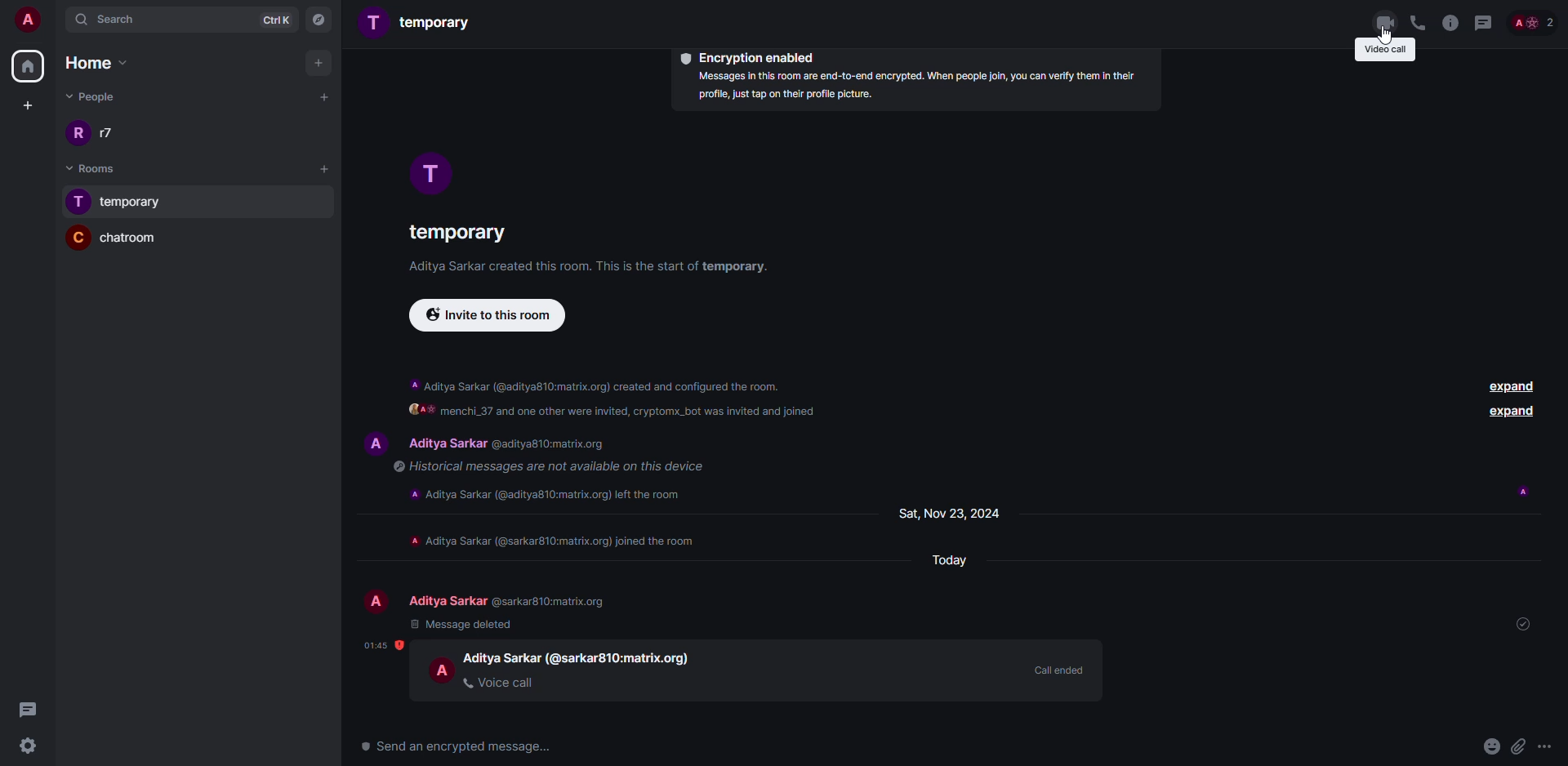  What do you see at coordinates (82, 168) in the screenshot?
I see `rooms` at bounding box center [82, 168].